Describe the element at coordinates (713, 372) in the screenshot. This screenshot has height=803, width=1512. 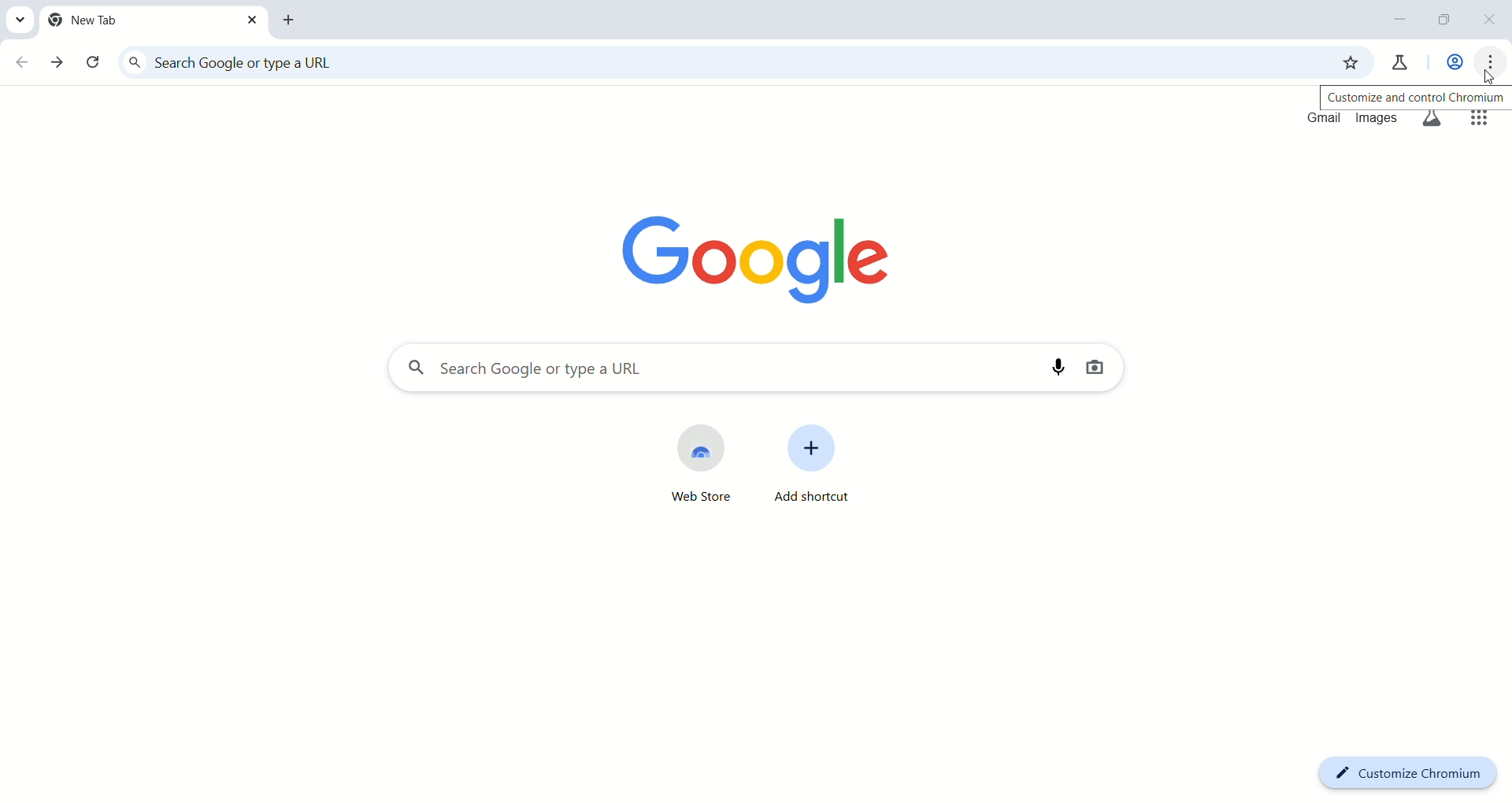
I see `search` at that location.